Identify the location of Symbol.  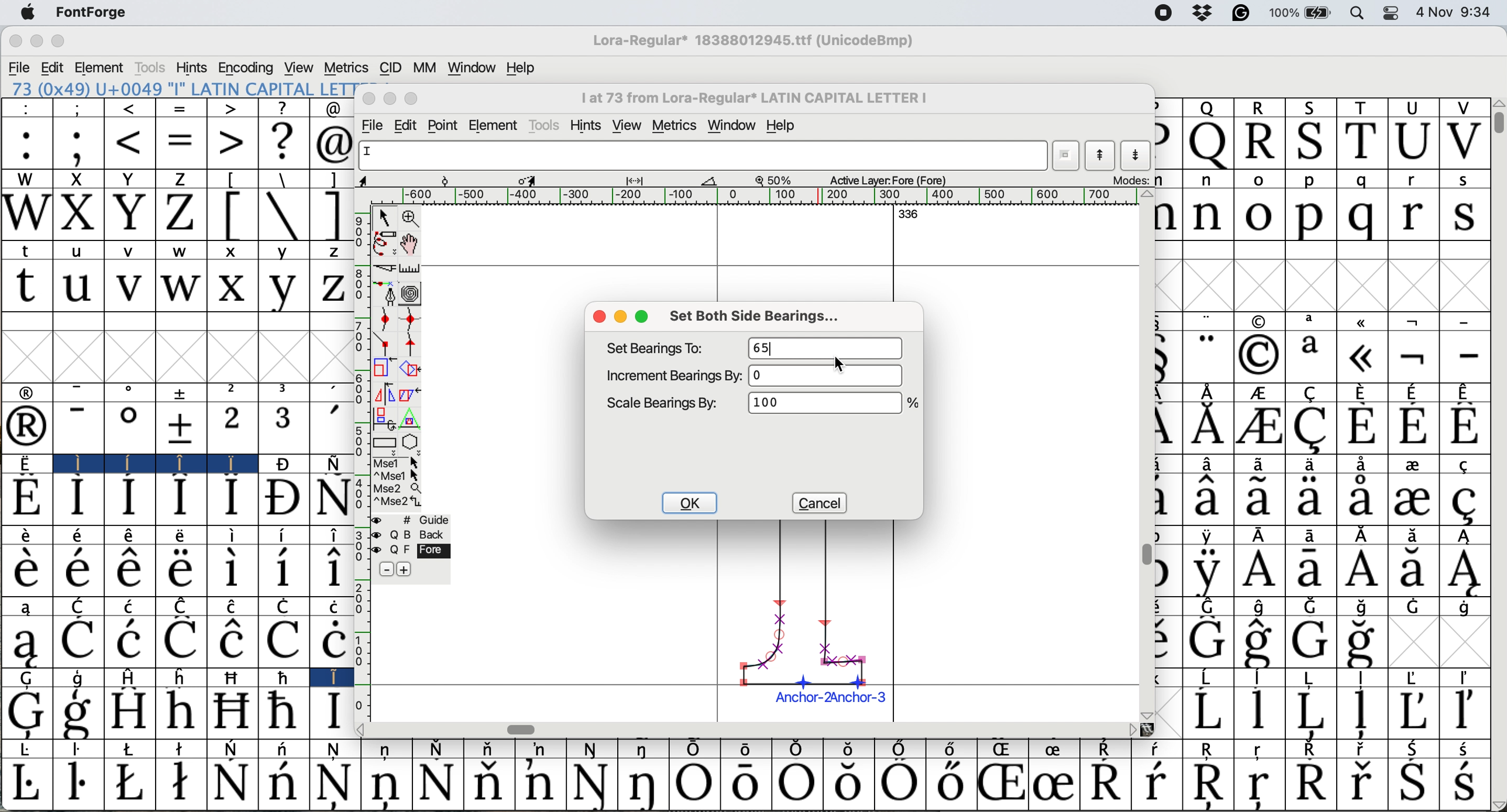
(26, 498).